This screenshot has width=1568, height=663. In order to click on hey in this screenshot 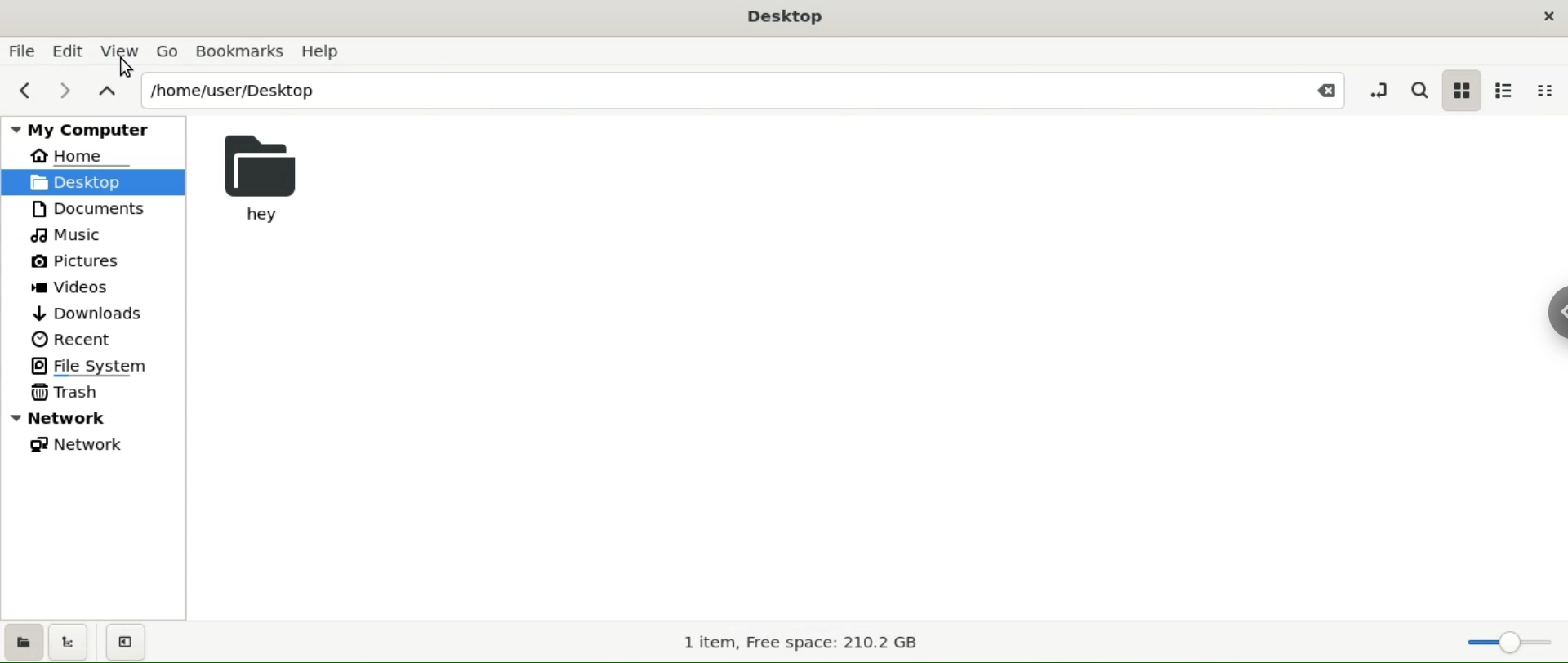, I will do `click(266, 176)`.